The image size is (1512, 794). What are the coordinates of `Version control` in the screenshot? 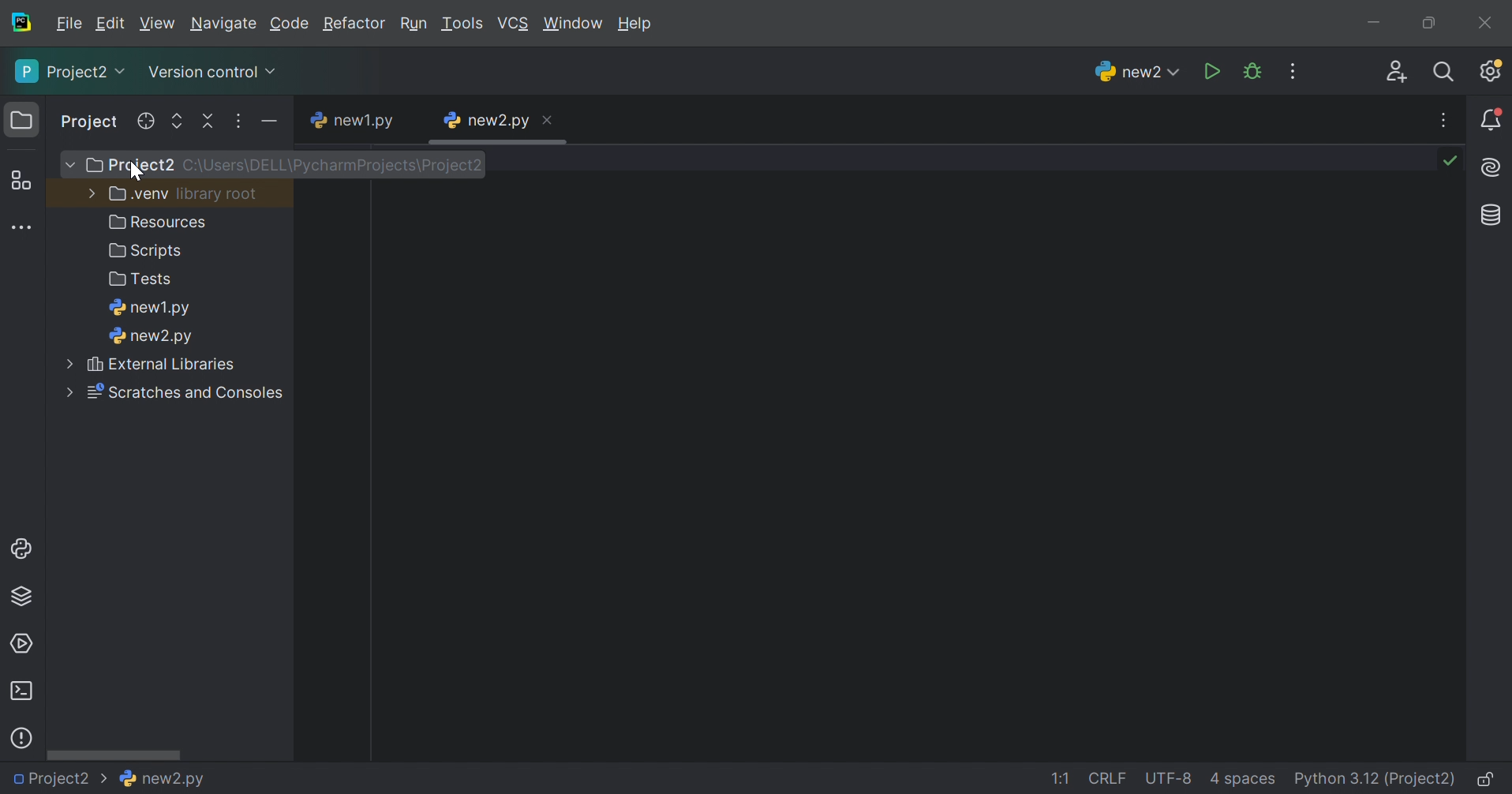 It's located at (215, 73).